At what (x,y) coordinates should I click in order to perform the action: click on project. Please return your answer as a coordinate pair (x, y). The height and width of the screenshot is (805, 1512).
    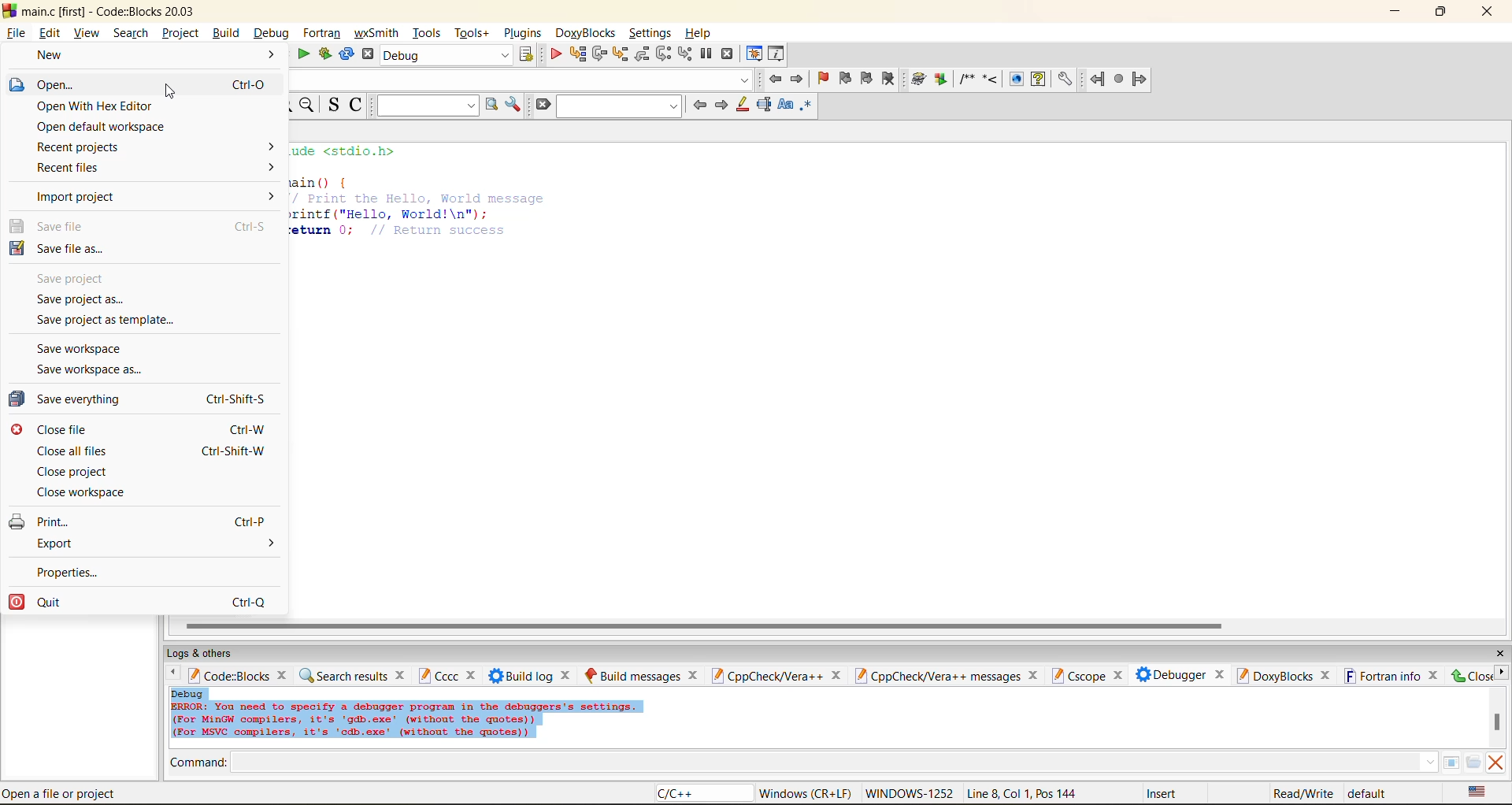
    Looking at the image, I should click on (180, 32).